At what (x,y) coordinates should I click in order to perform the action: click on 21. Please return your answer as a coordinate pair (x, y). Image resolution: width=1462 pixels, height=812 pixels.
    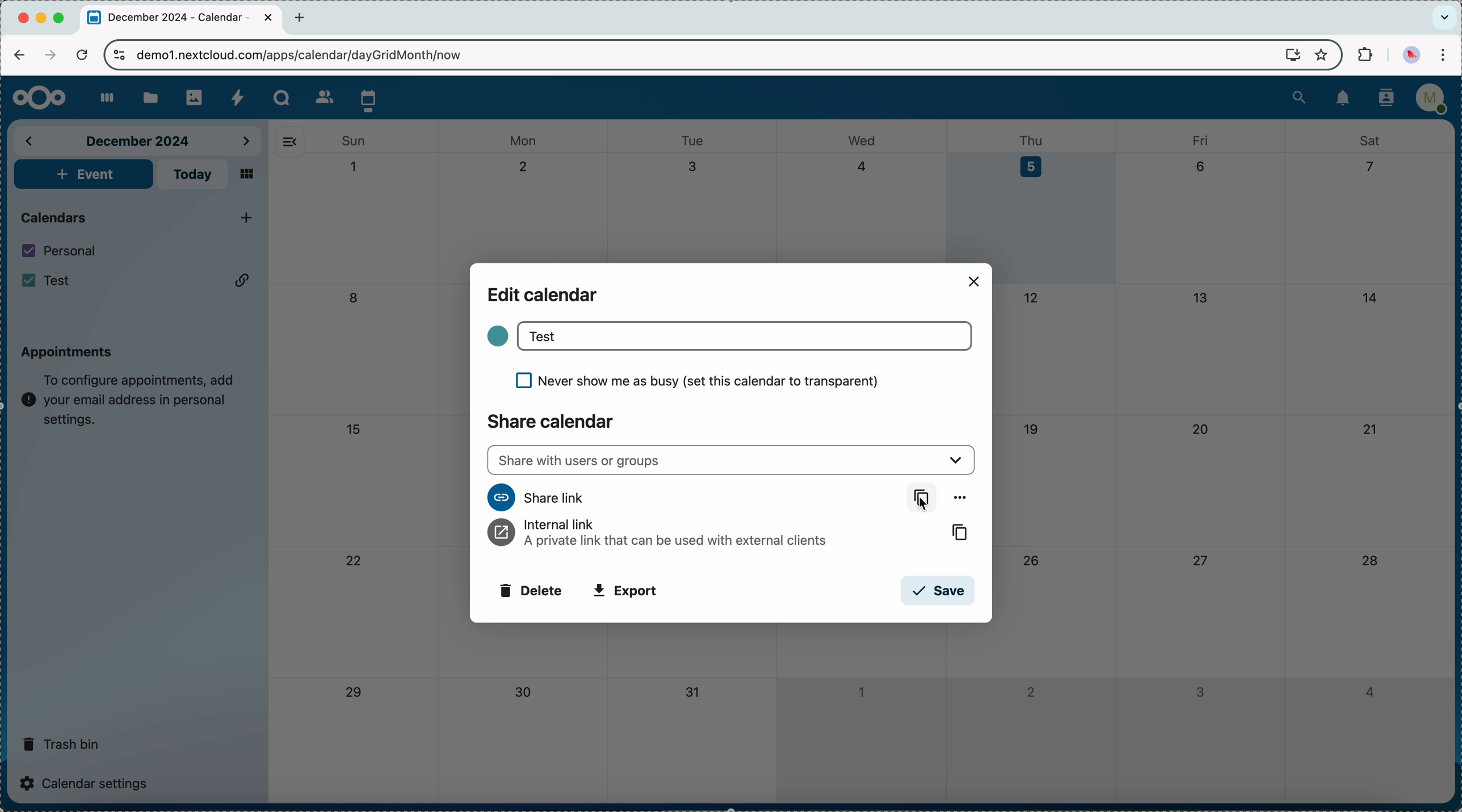
    Looking at the image, I should click on (1369, 429).